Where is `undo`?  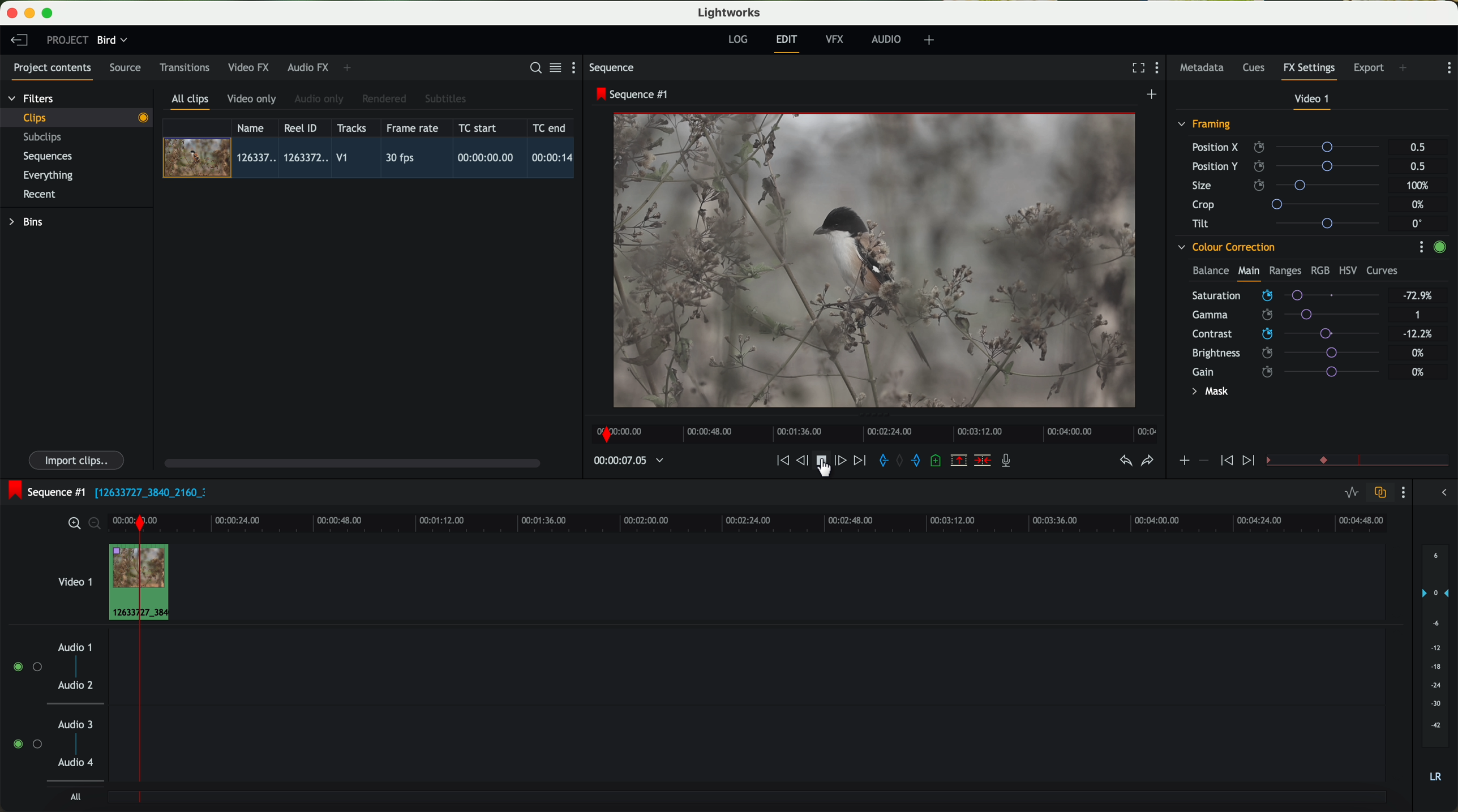
undo is located at coordinates (1125, 461).